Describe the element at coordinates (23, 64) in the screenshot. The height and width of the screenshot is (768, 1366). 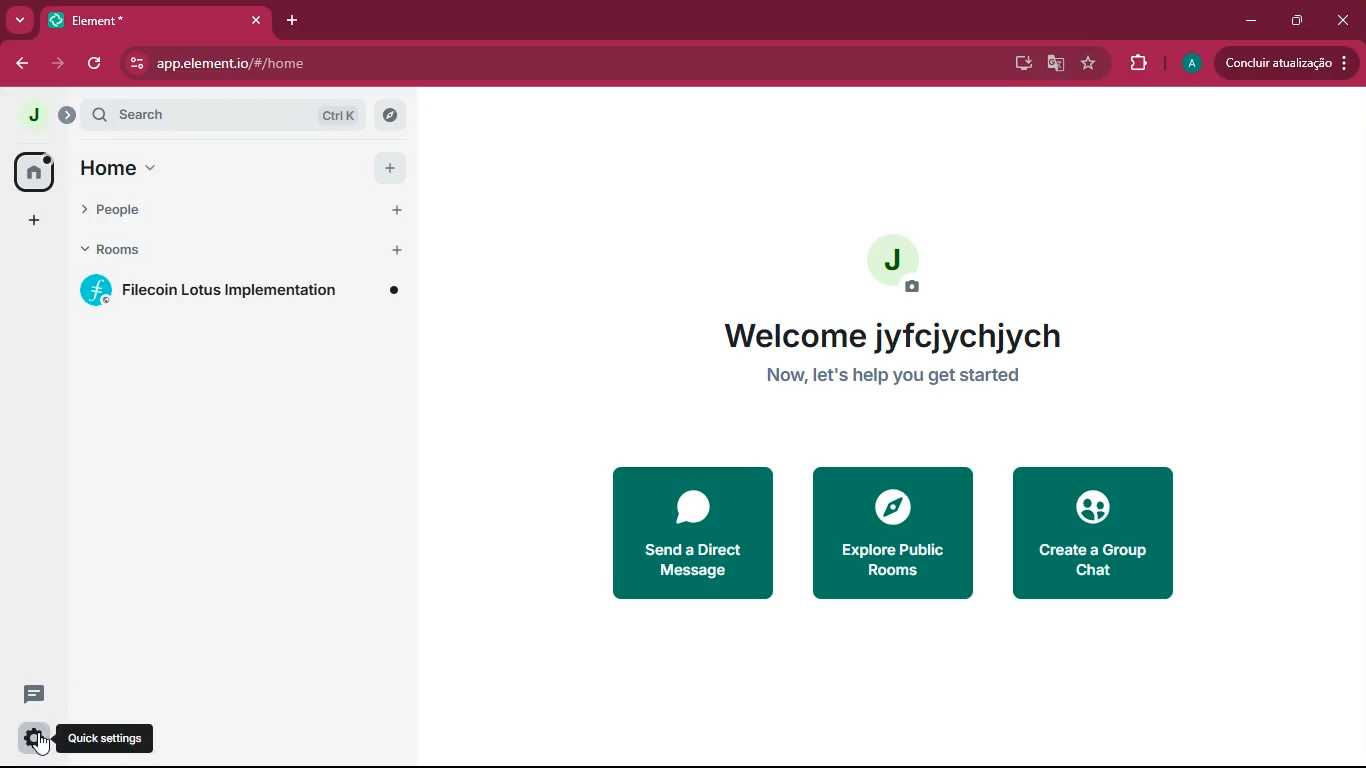
I see `back` at that location.